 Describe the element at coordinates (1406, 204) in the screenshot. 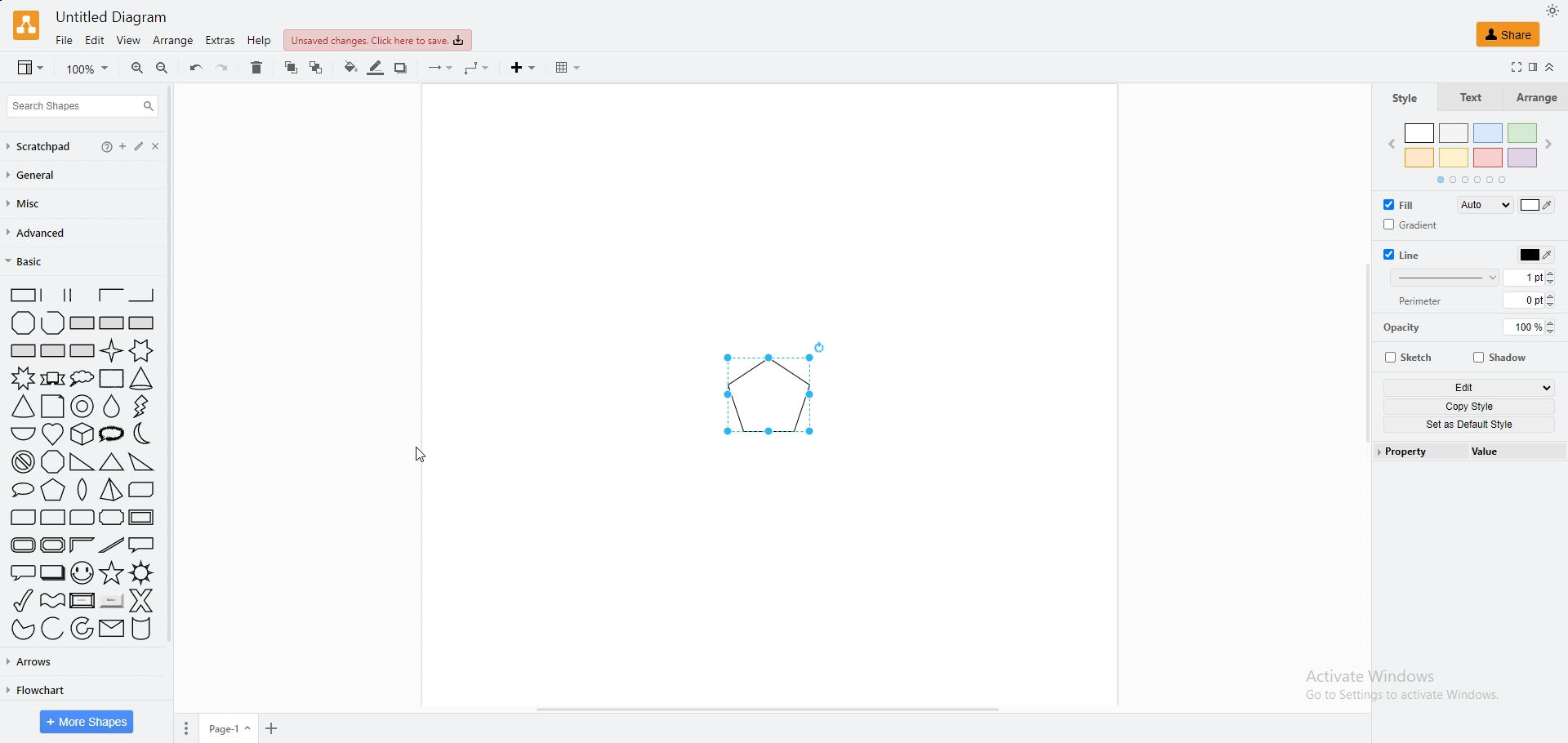

I see `fill` at that location.